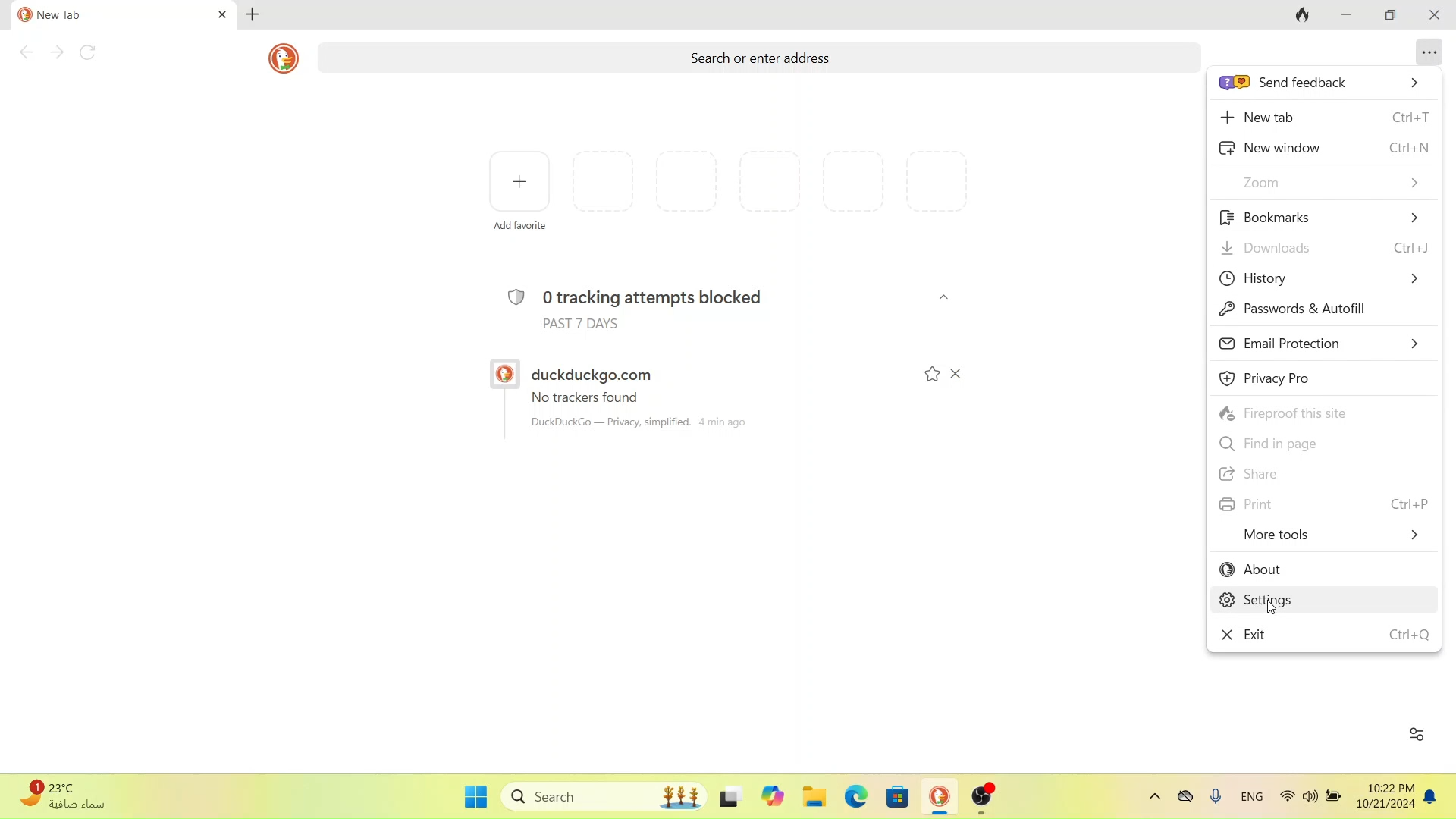 Image resolution: width=1456 pixels, height=819 pixels. What do you see at coordinates (815, 798) in the screenshot?
I see `file explorer` at bounding box center [815, 798].